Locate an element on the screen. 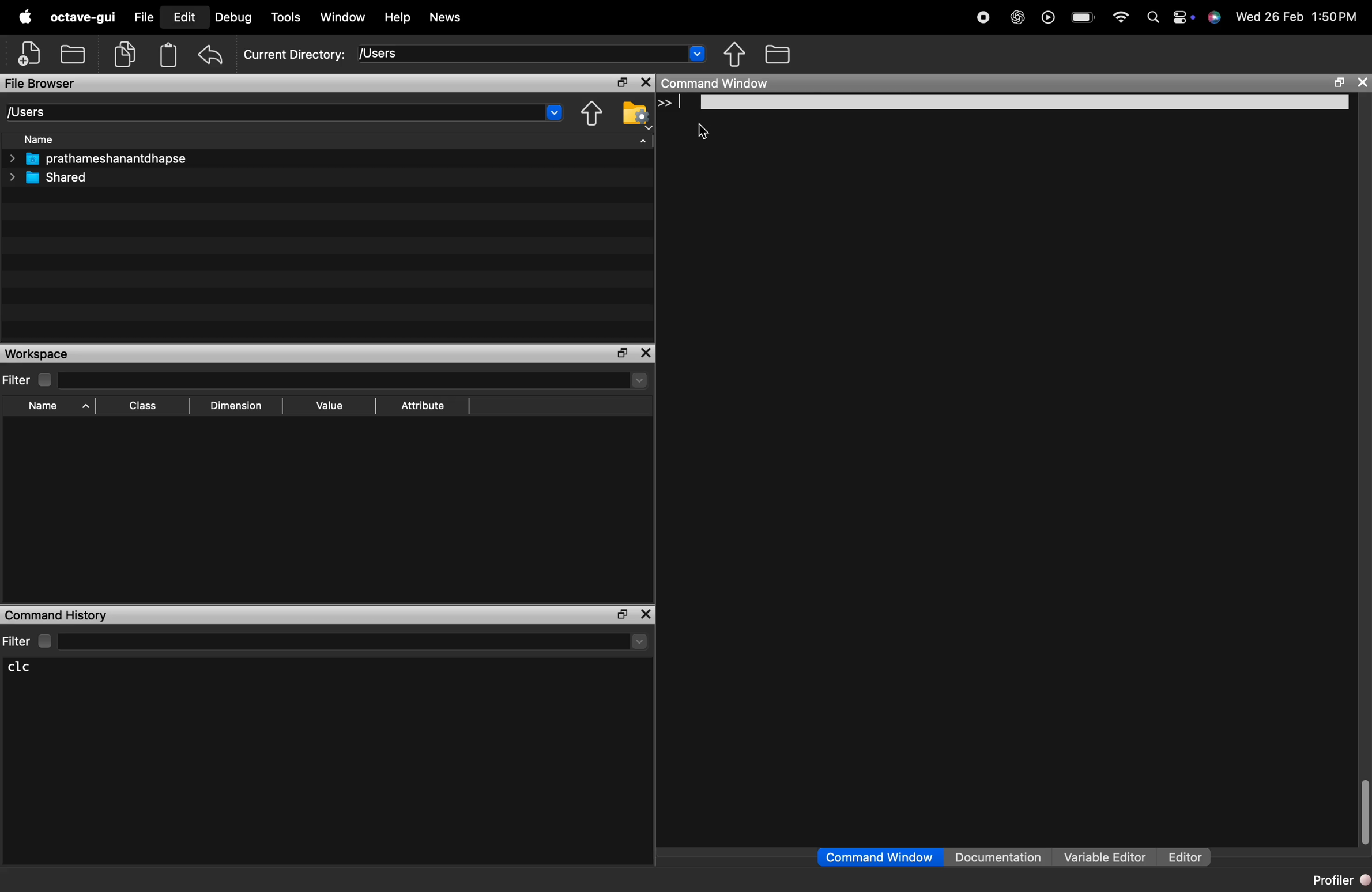 Image resolution: width=1372 pixels, height=892 pixels. battery is located at coordinates (1083, 14).